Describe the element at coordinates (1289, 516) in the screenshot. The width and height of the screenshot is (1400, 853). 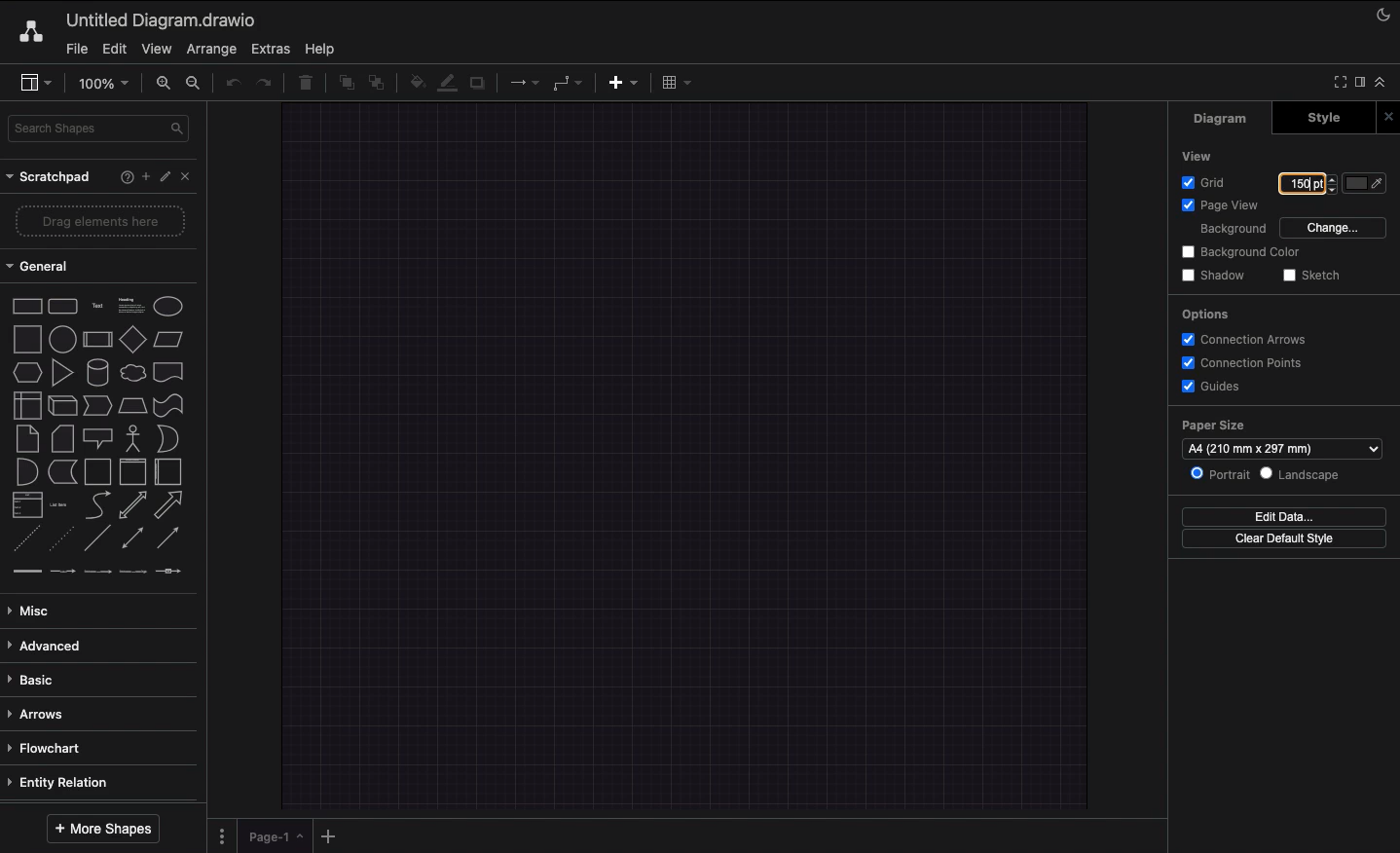
I see `Edit data` at that location.